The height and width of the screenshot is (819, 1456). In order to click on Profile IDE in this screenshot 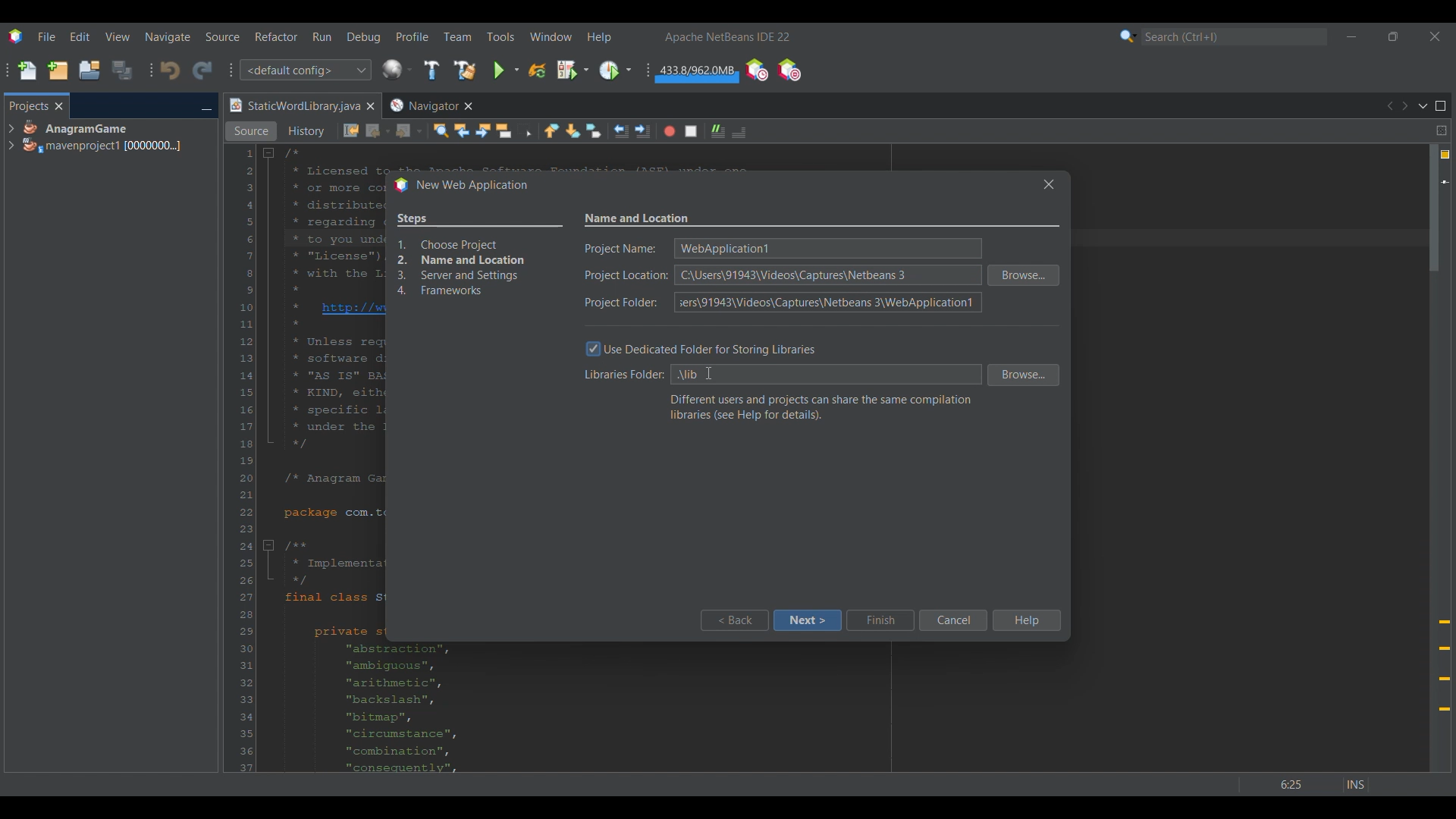, I will do `click(756, 71)`.